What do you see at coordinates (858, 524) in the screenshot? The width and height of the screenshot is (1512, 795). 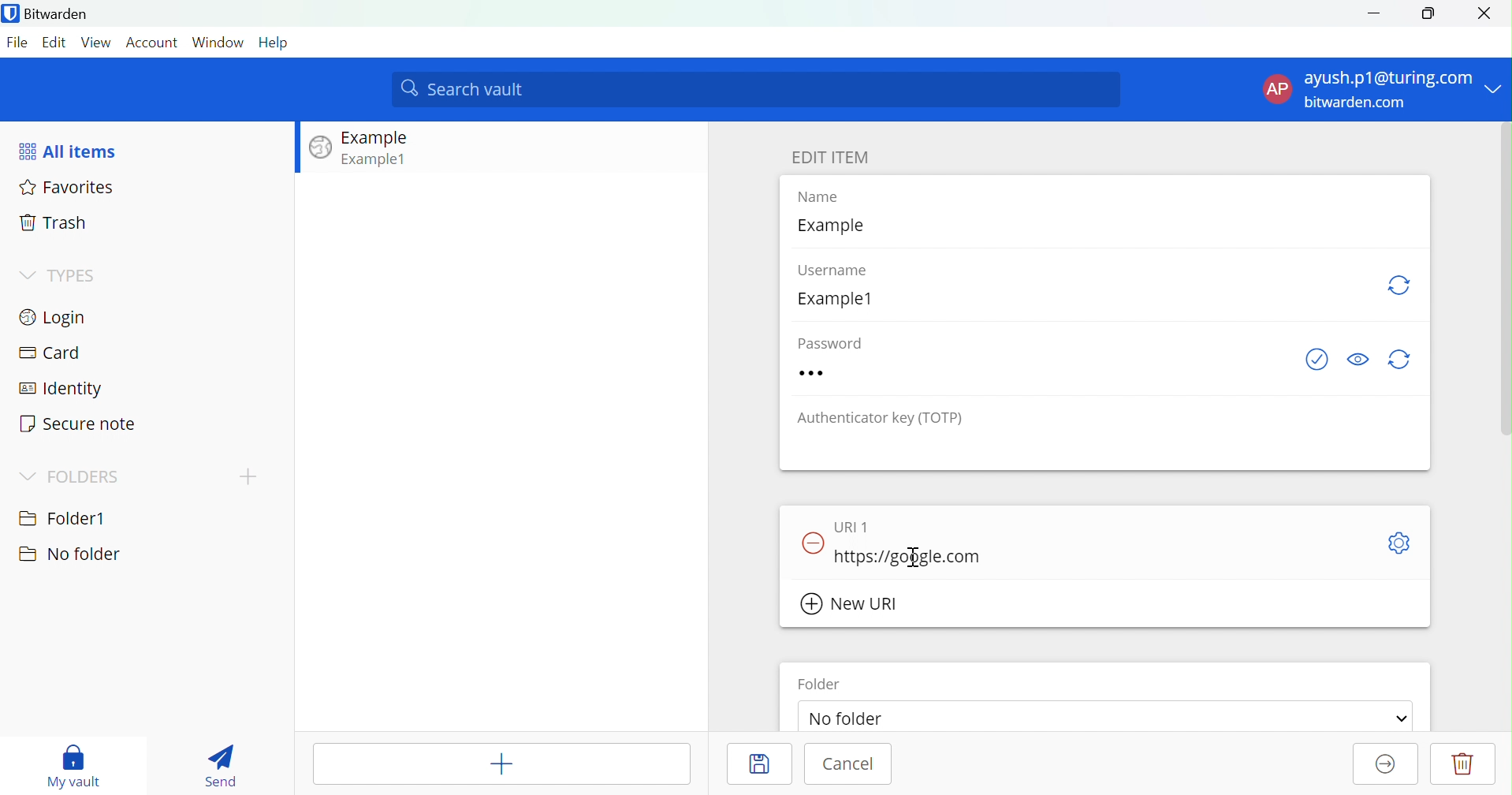 I see `URL 1` at bounding box center [858, 524].